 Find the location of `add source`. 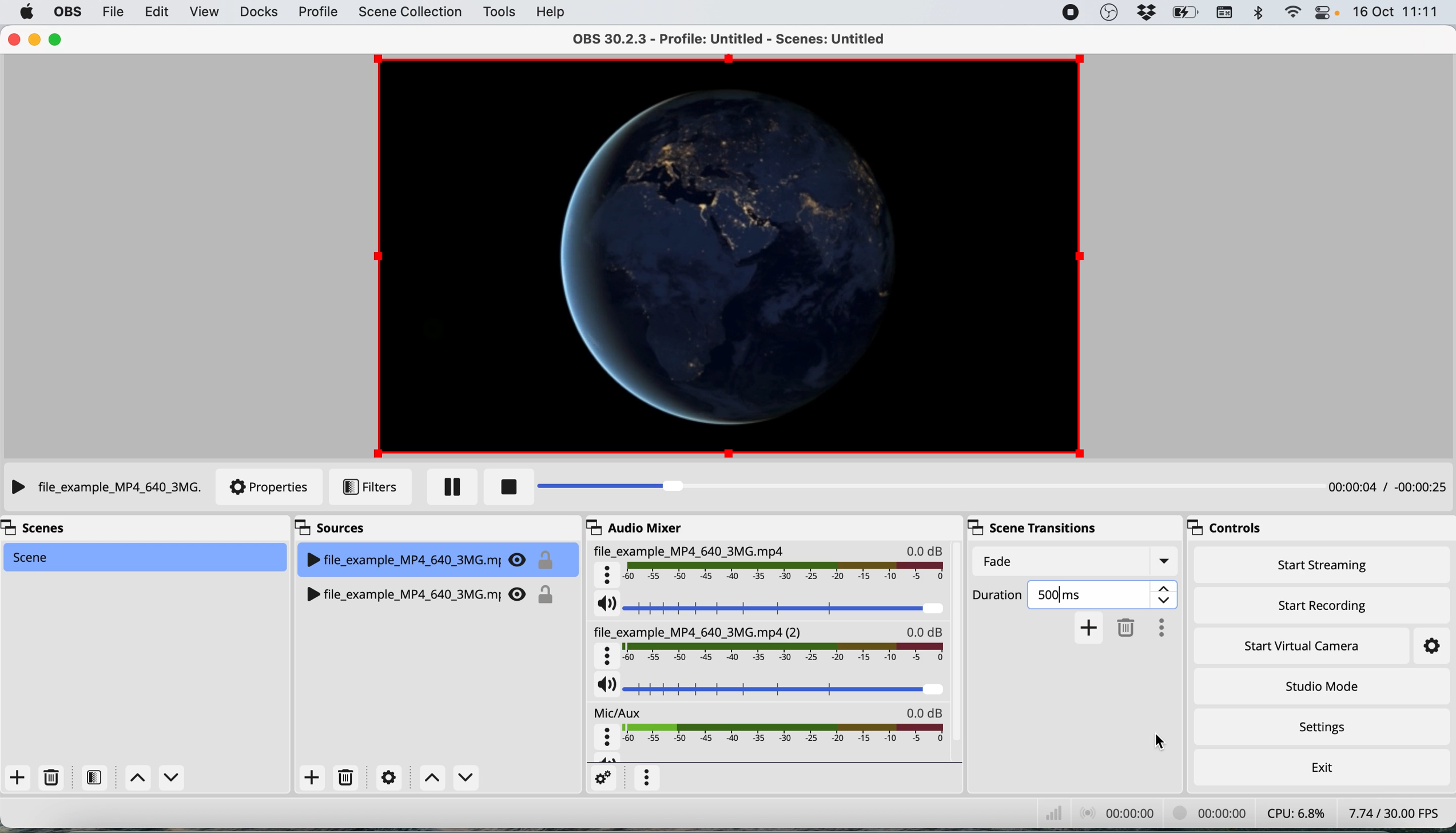

add source is located at coordinates (310, 778).